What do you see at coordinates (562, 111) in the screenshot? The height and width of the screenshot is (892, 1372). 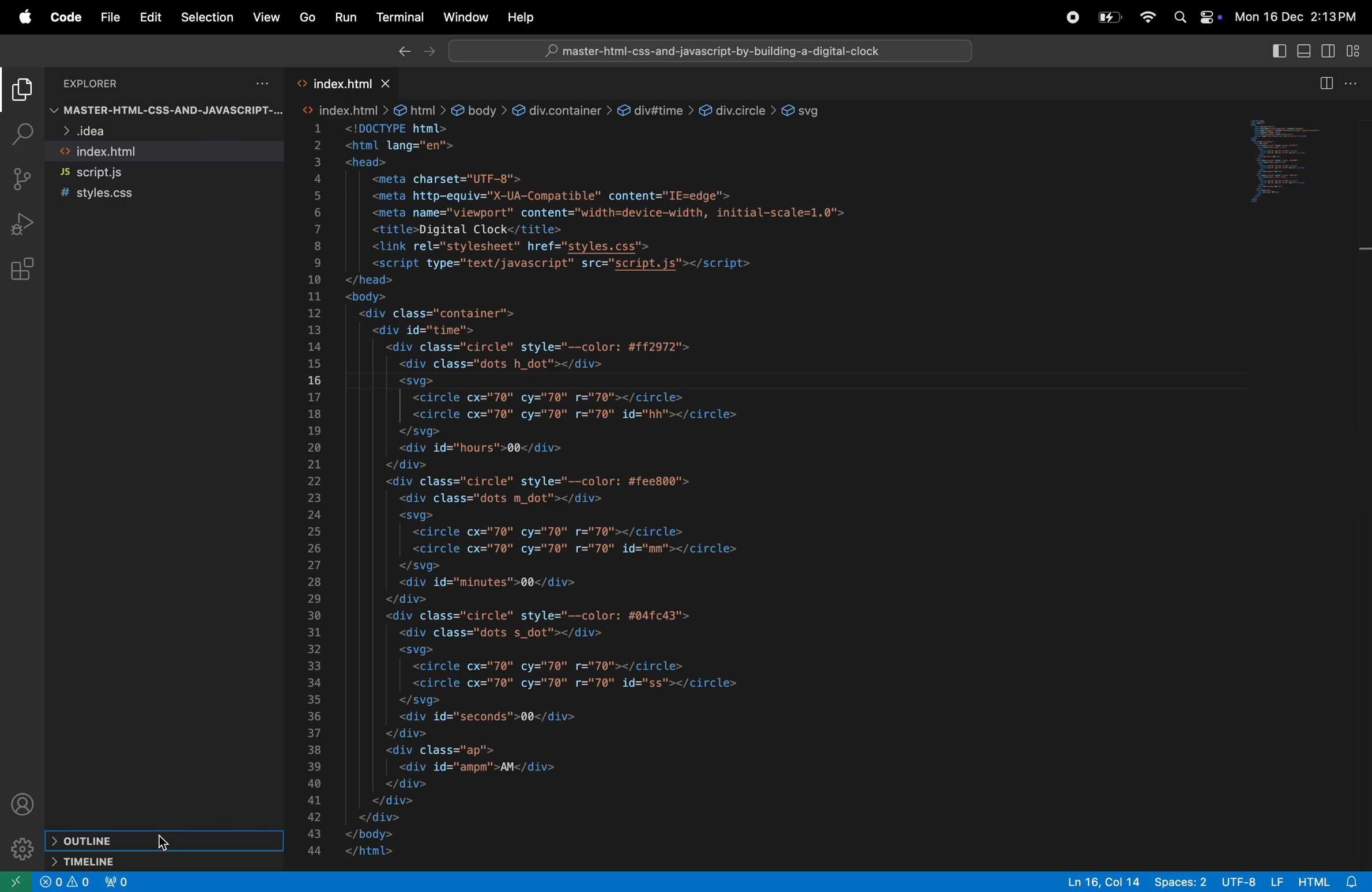 I see `div` at bounding box center [562, 111].